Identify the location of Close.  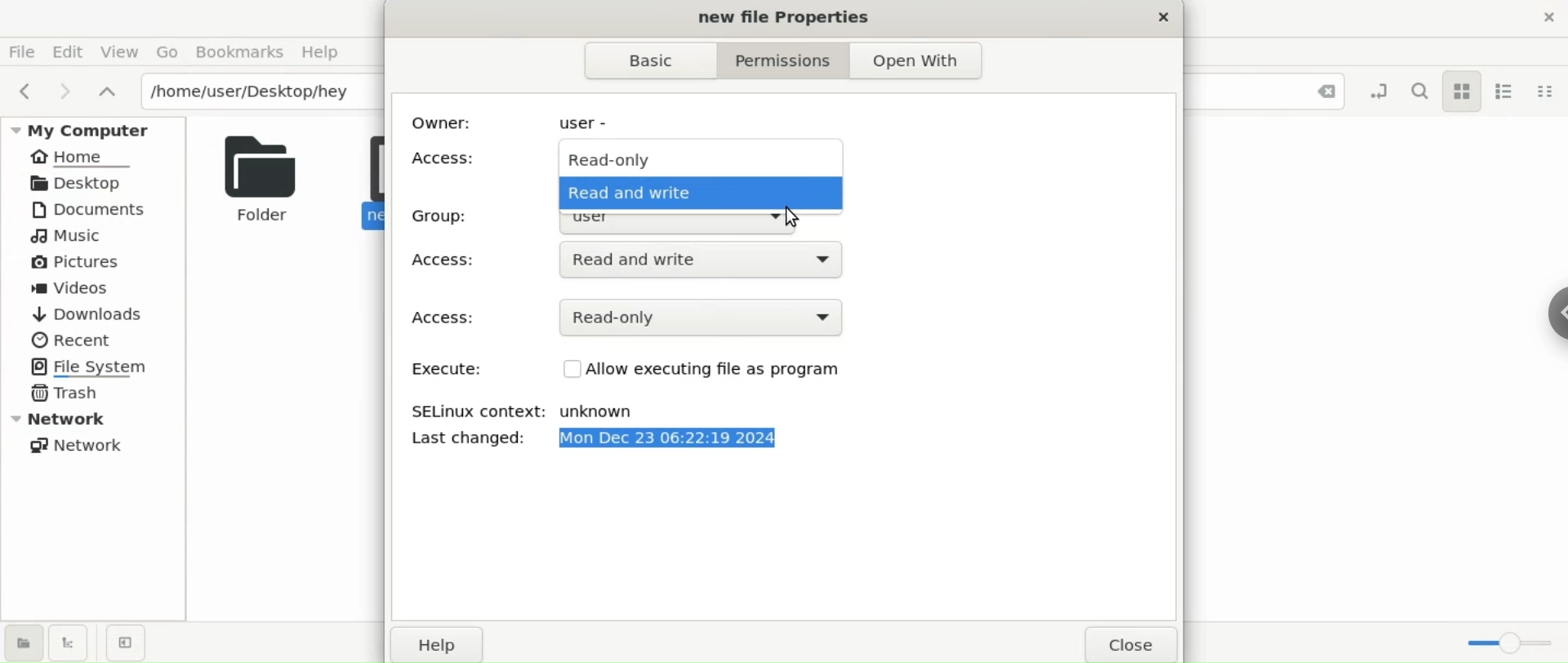
(1317, 91).